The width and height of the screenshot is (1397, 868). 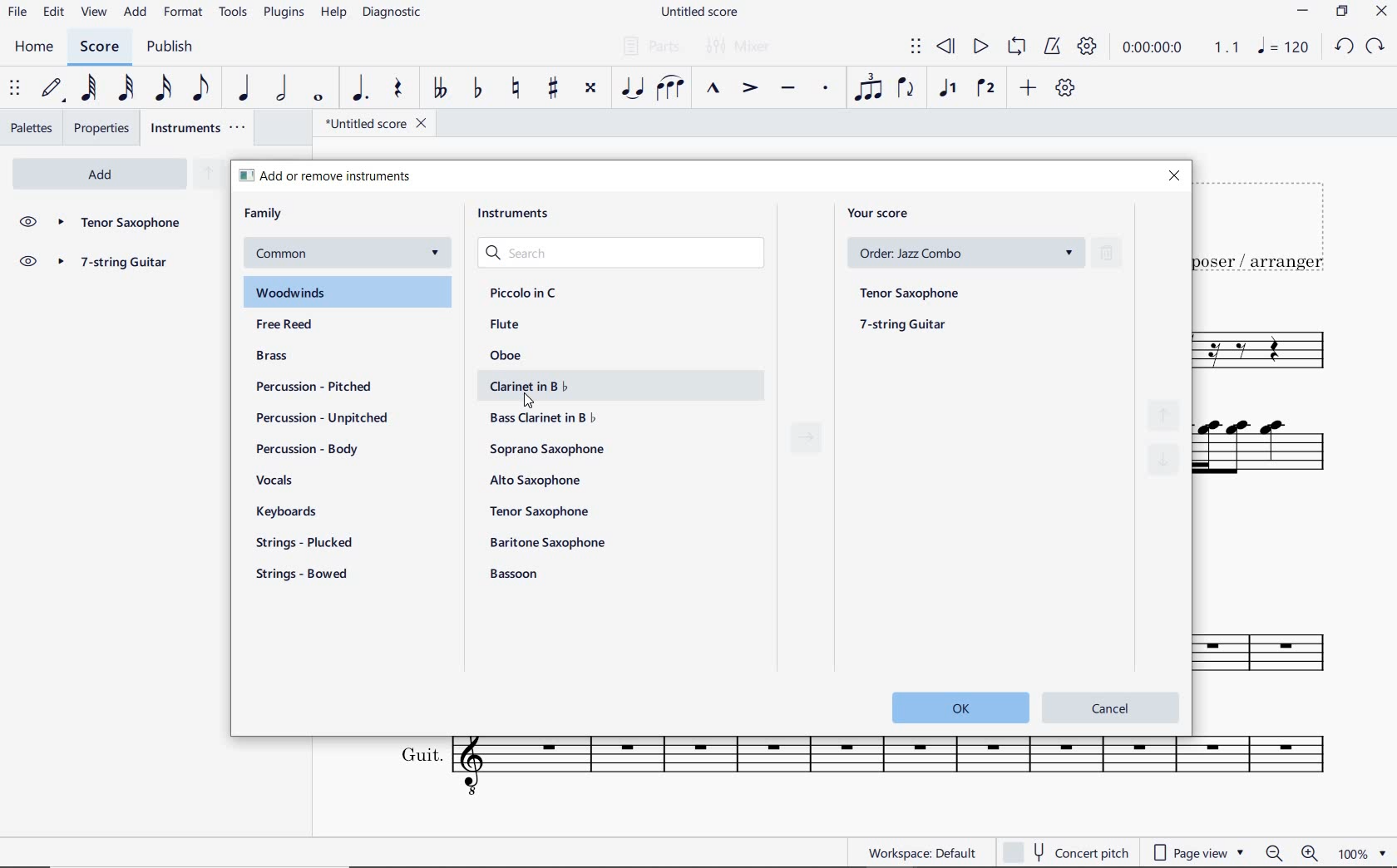 What do you see at coordinates (1345, 12) in the screenshot?
I see `RESTORE DOWN` at bounding box center [1345, 12].